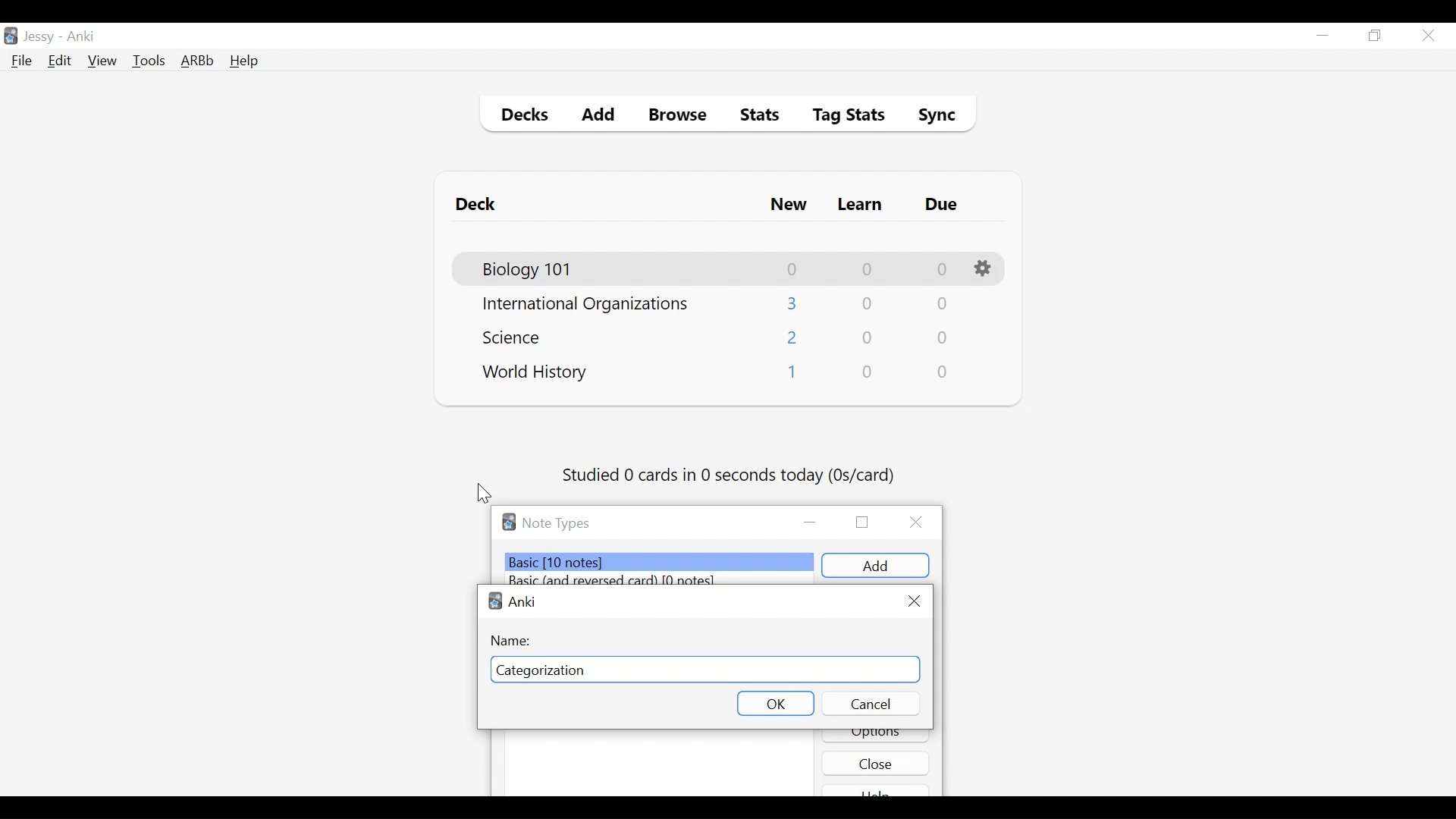 The image size is (1456, 819). I want to click on Restore, so click(1376, 36).